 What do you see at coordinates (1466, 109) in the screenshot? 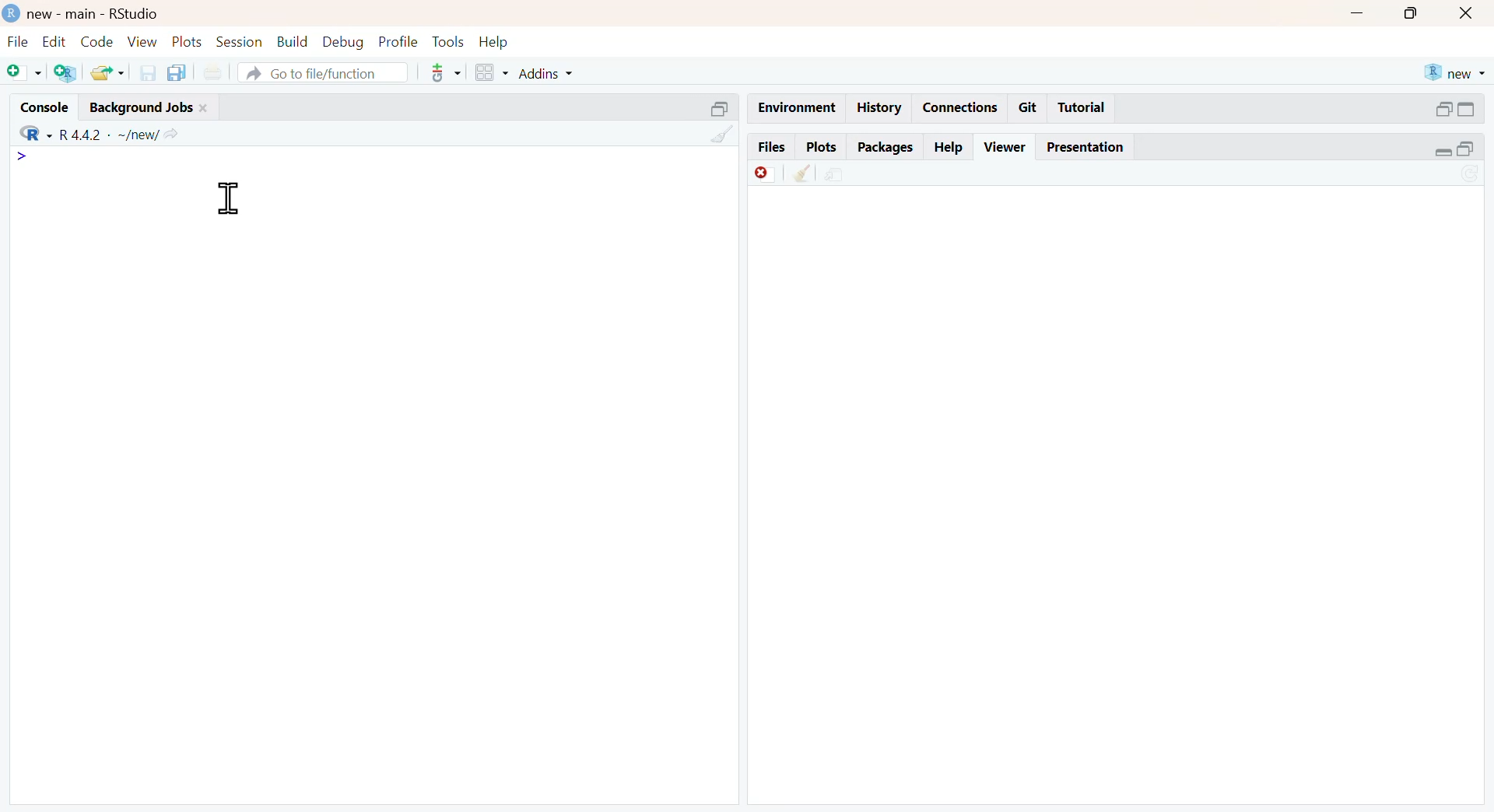
I see `expand/collapse ` at bounding box center [1466, 109].